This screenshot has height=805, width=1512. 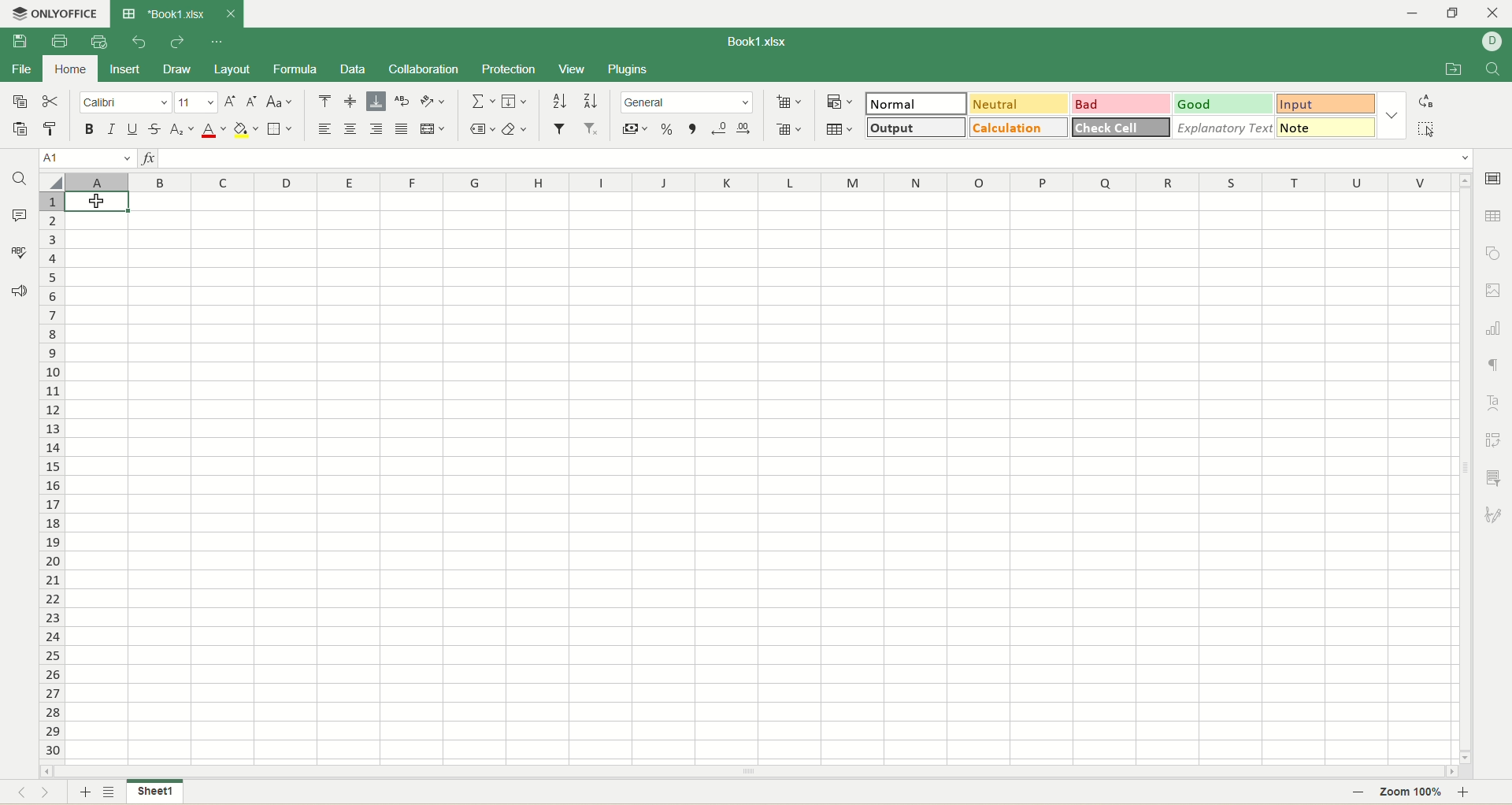 What do you see at coordinates (183, 129) in the screenshot?
I see `subscript` at bounding box center [183, 129].